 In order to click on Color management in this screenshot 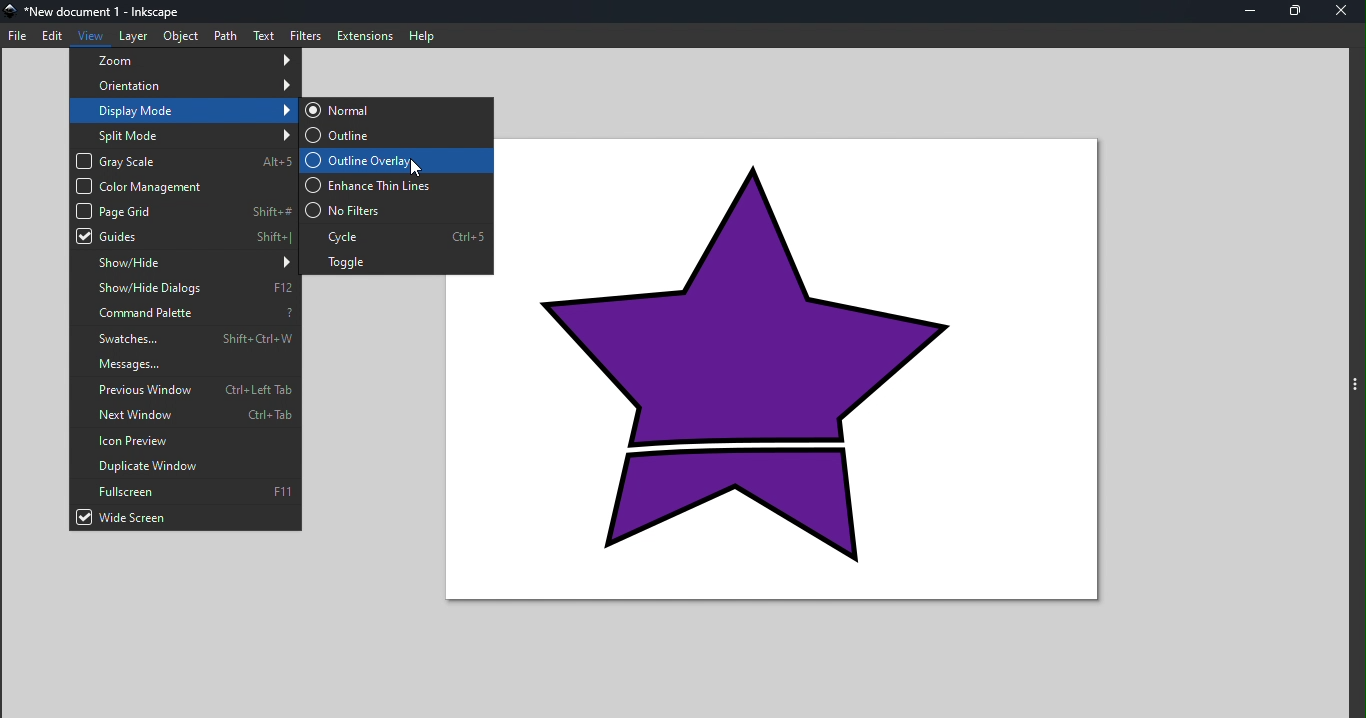, I will do `click(185, 186)`.